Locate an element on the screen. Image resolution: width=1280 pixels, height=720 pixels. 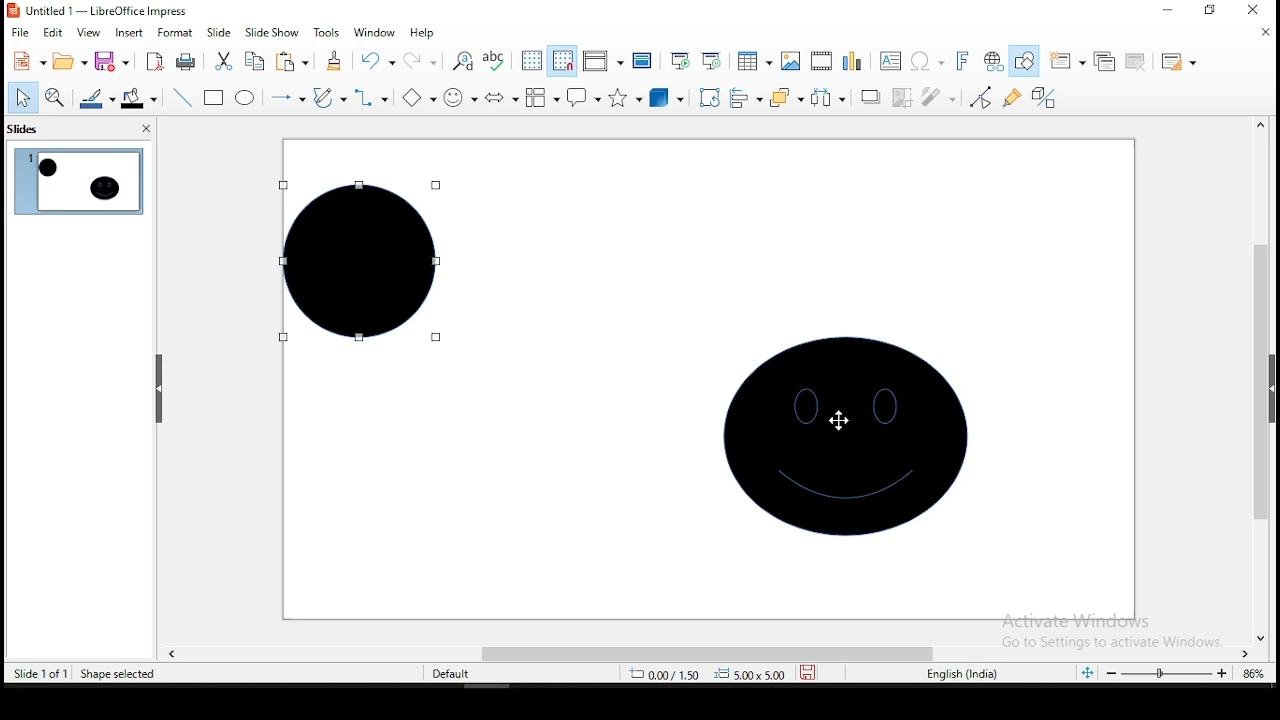
close pane is located at coordinates (144, 130).